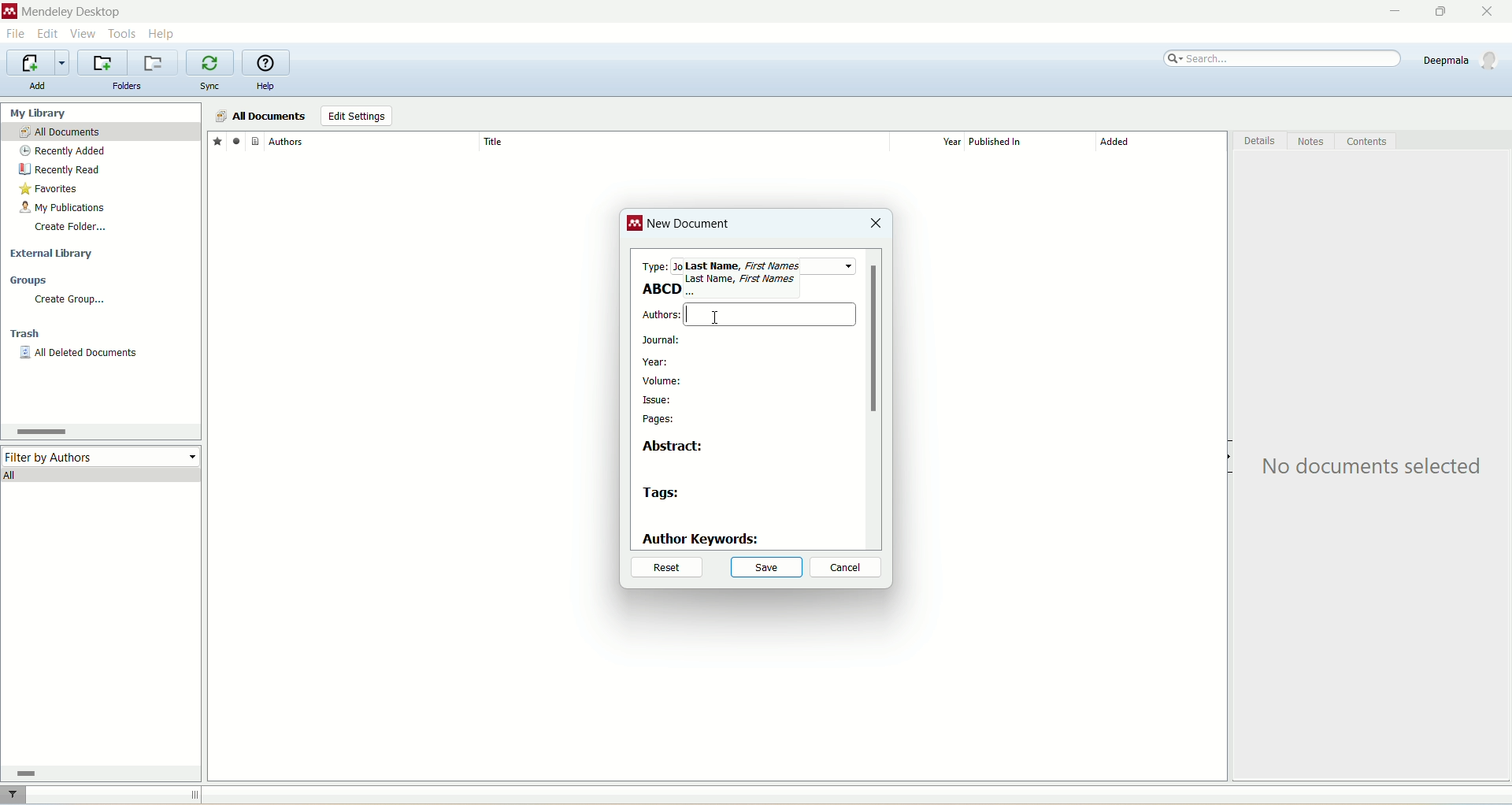  Describe the element at coordinates (655, 363) in the screenshot. I see `year` at that location.